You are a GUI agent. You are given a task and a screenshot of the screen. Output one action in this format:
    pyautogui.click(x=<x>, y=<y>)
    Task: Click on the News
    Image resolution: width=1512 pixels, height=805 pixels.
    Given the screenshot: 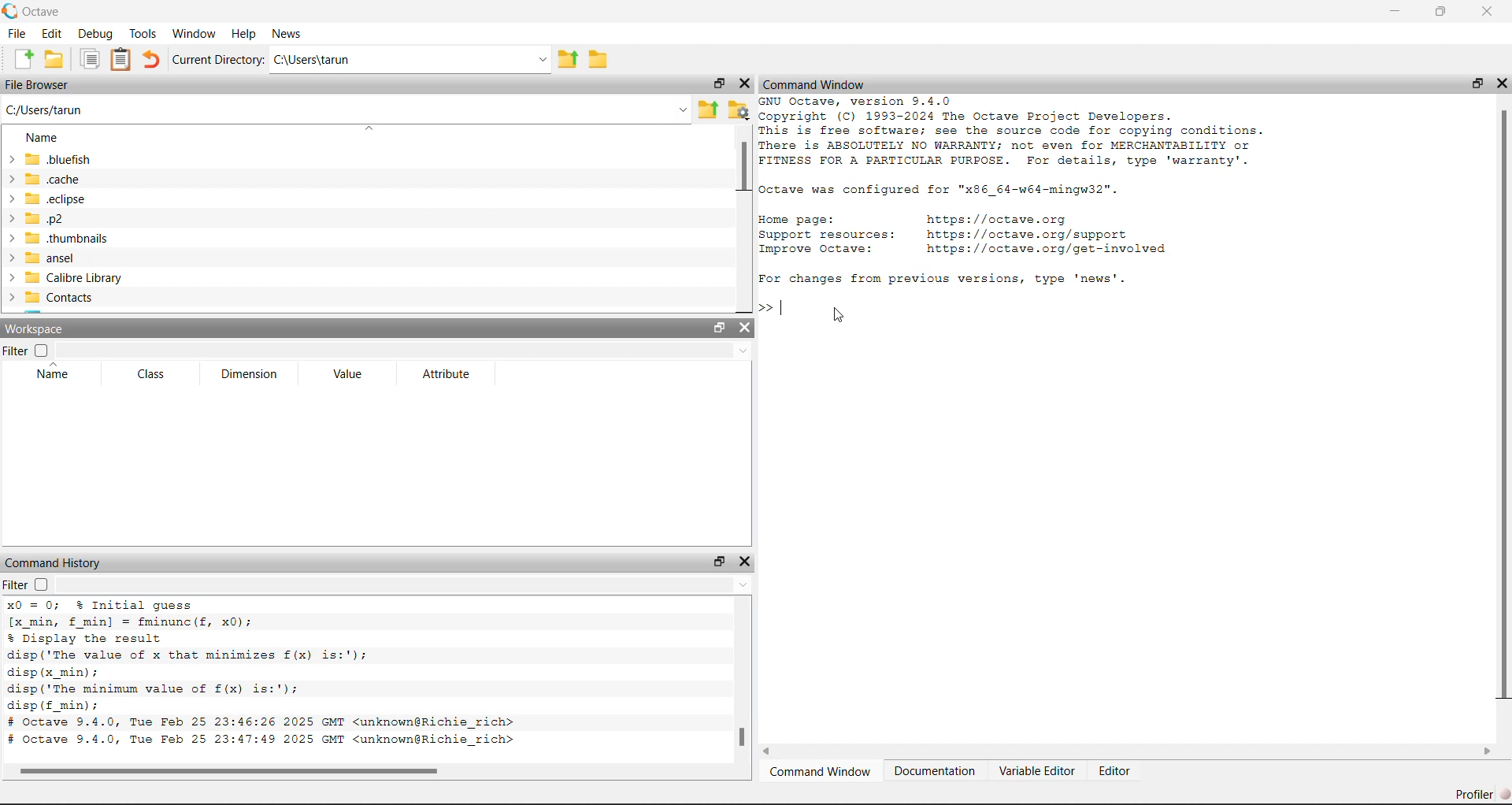 What is the action you would take?
    pyautogui.click(x=288, y=33)
    